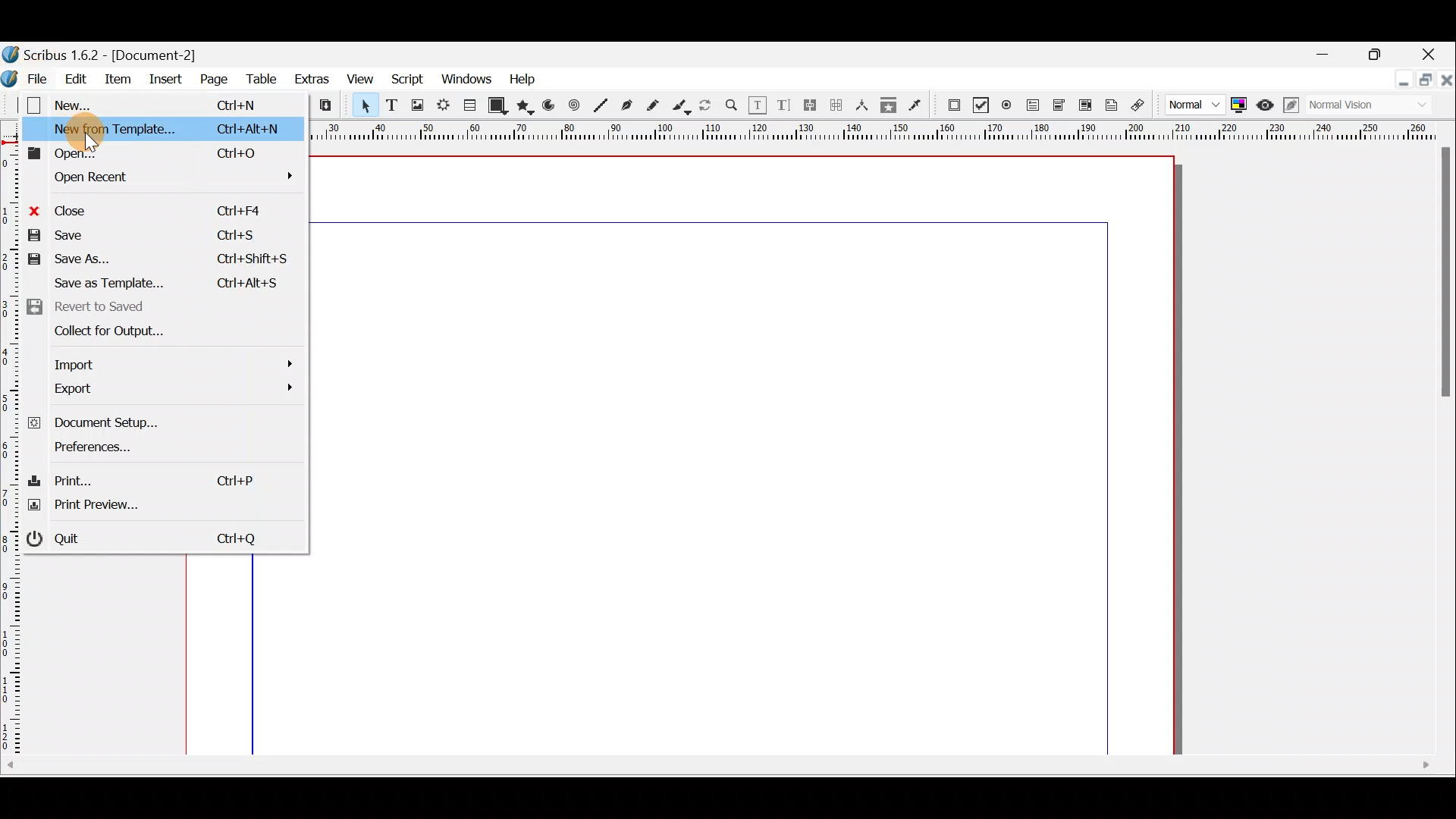  Describe the element at coordinates (836, 105) in the screenshot. I see `Unlink text frames` at that location.